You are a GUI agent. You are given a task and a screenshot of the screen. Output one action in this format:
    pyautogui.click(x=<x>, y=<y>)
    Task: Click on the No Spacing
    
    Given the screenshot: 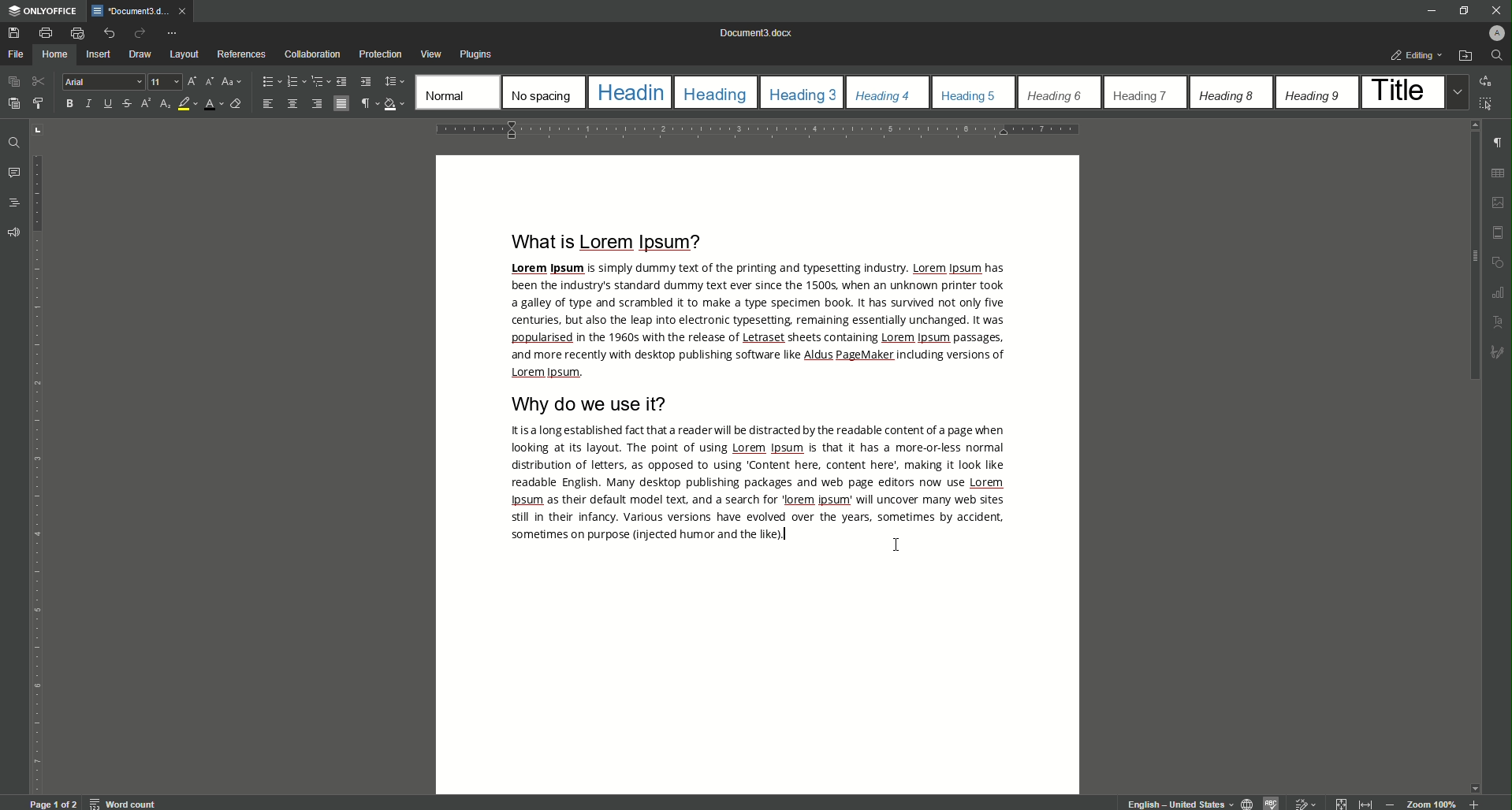 What is the action you would take?
    pyautogui.click(x=543, y=93)
    